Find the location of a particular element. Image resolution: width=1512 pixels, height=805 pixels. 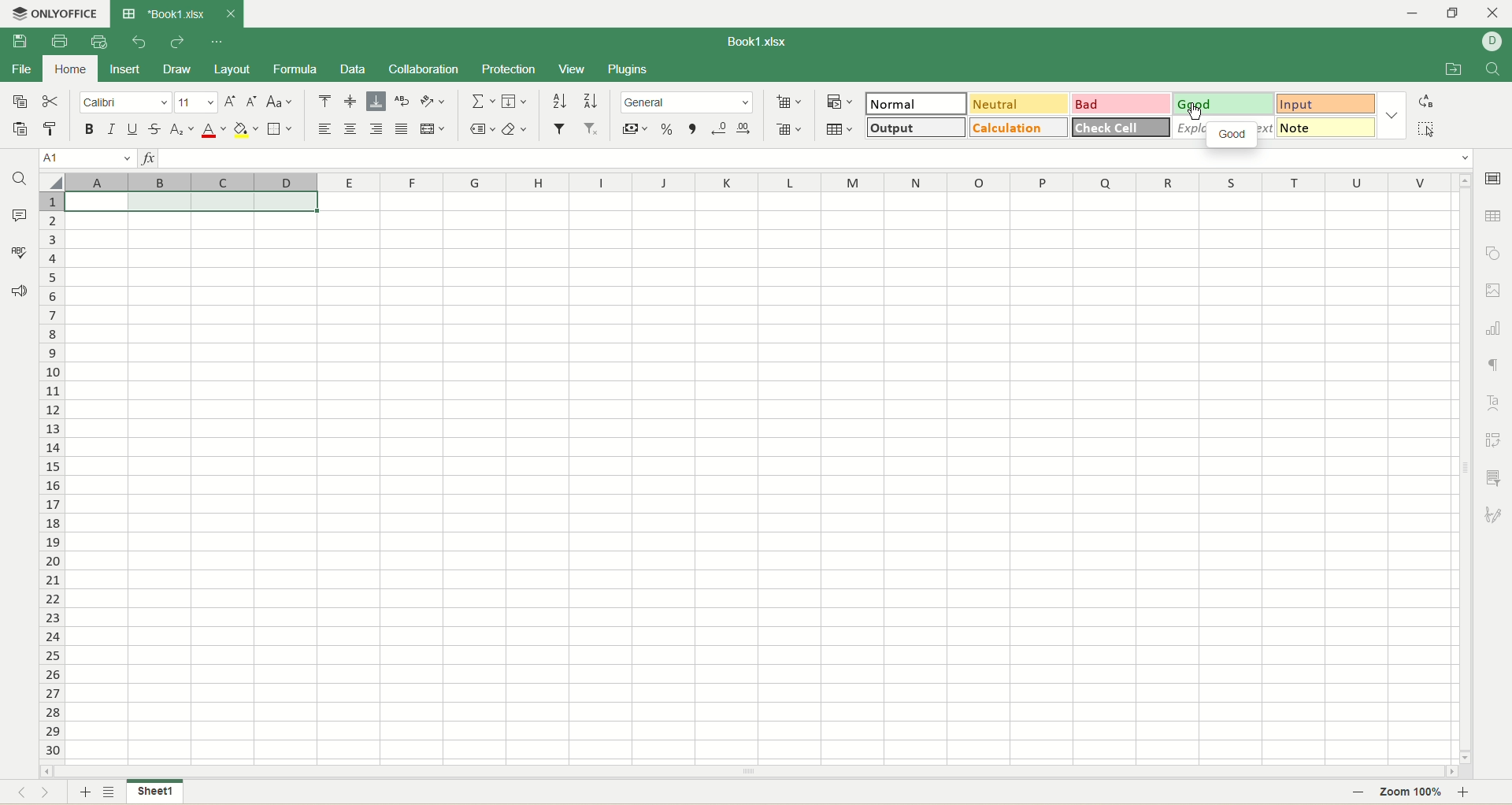

named ranges is located at coordinates (483, 129).